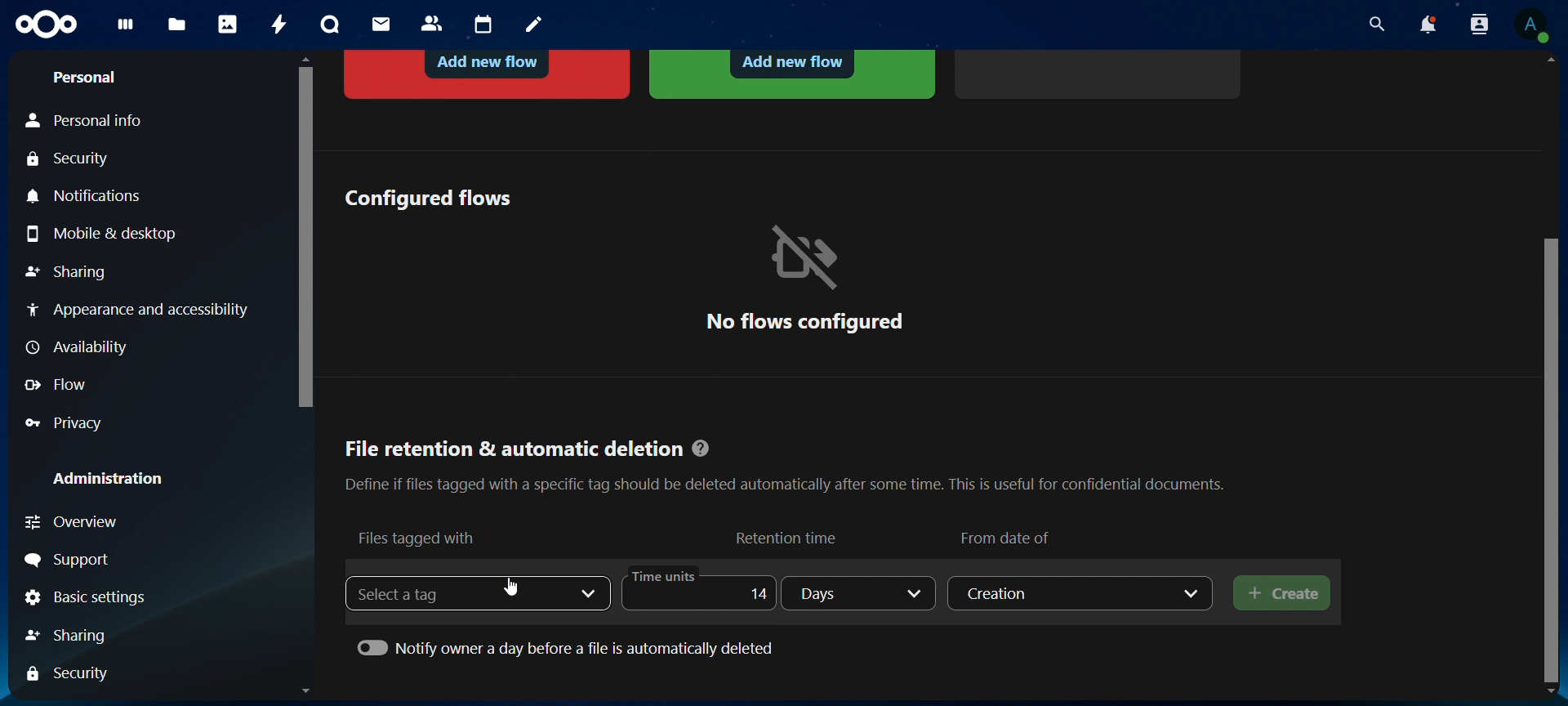  I want to click on scrollbar, so click(302, 233).